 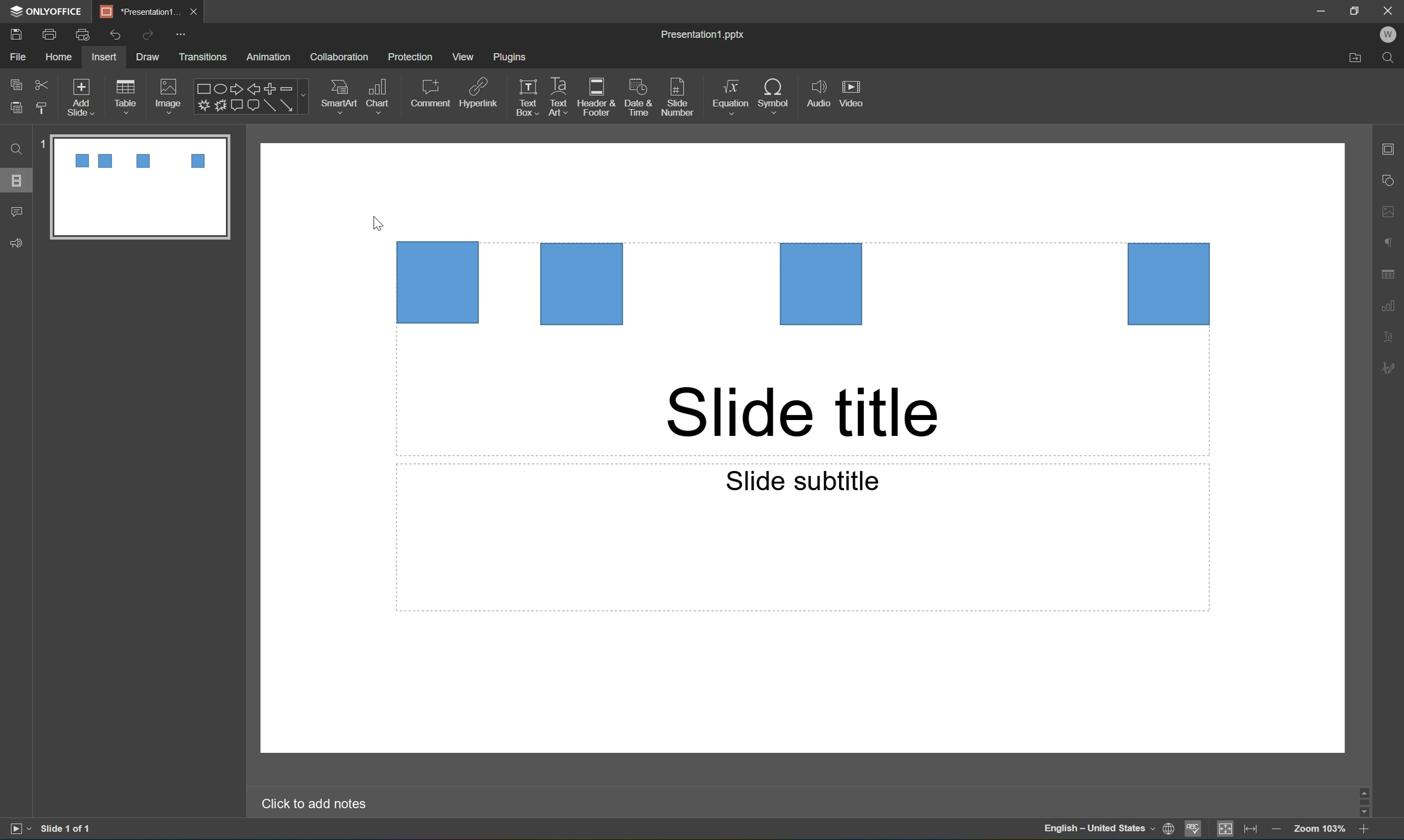 I want to click on comments, so click(x=16, y=212).